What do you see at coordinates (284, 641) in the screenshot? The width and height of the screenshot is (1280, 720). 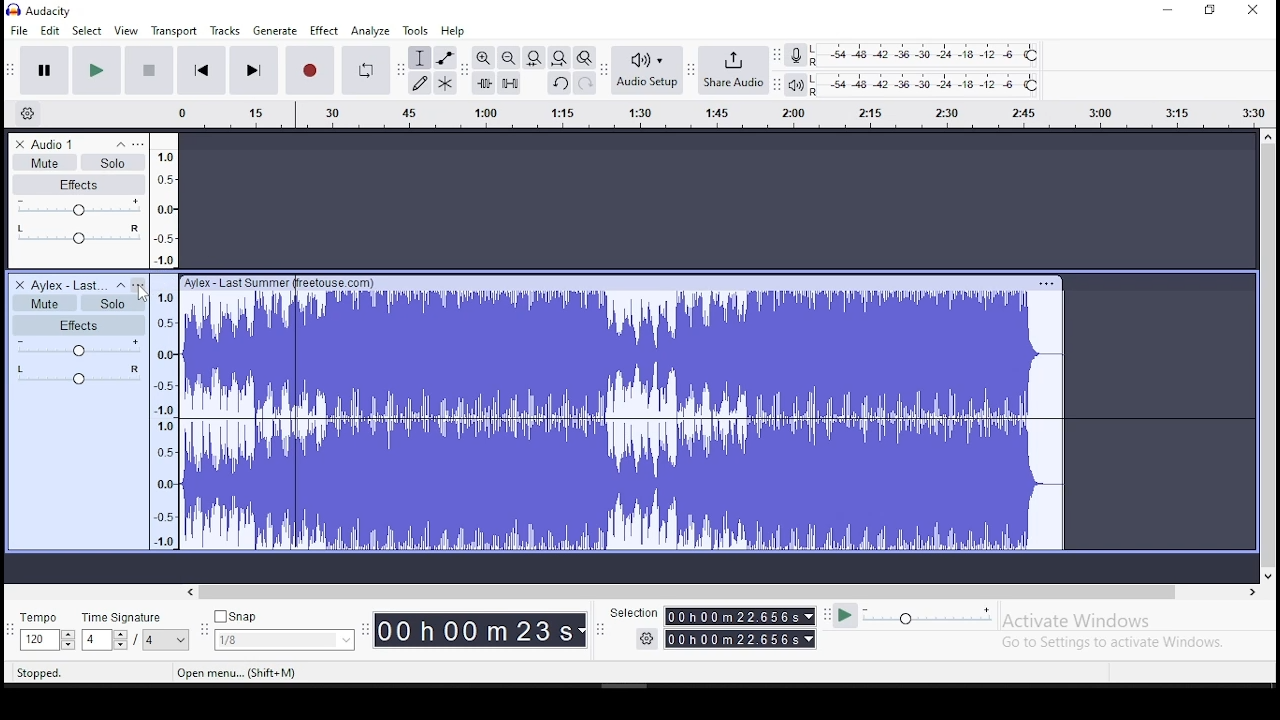 I see `select spingnap` at bounding box center [284, 641].